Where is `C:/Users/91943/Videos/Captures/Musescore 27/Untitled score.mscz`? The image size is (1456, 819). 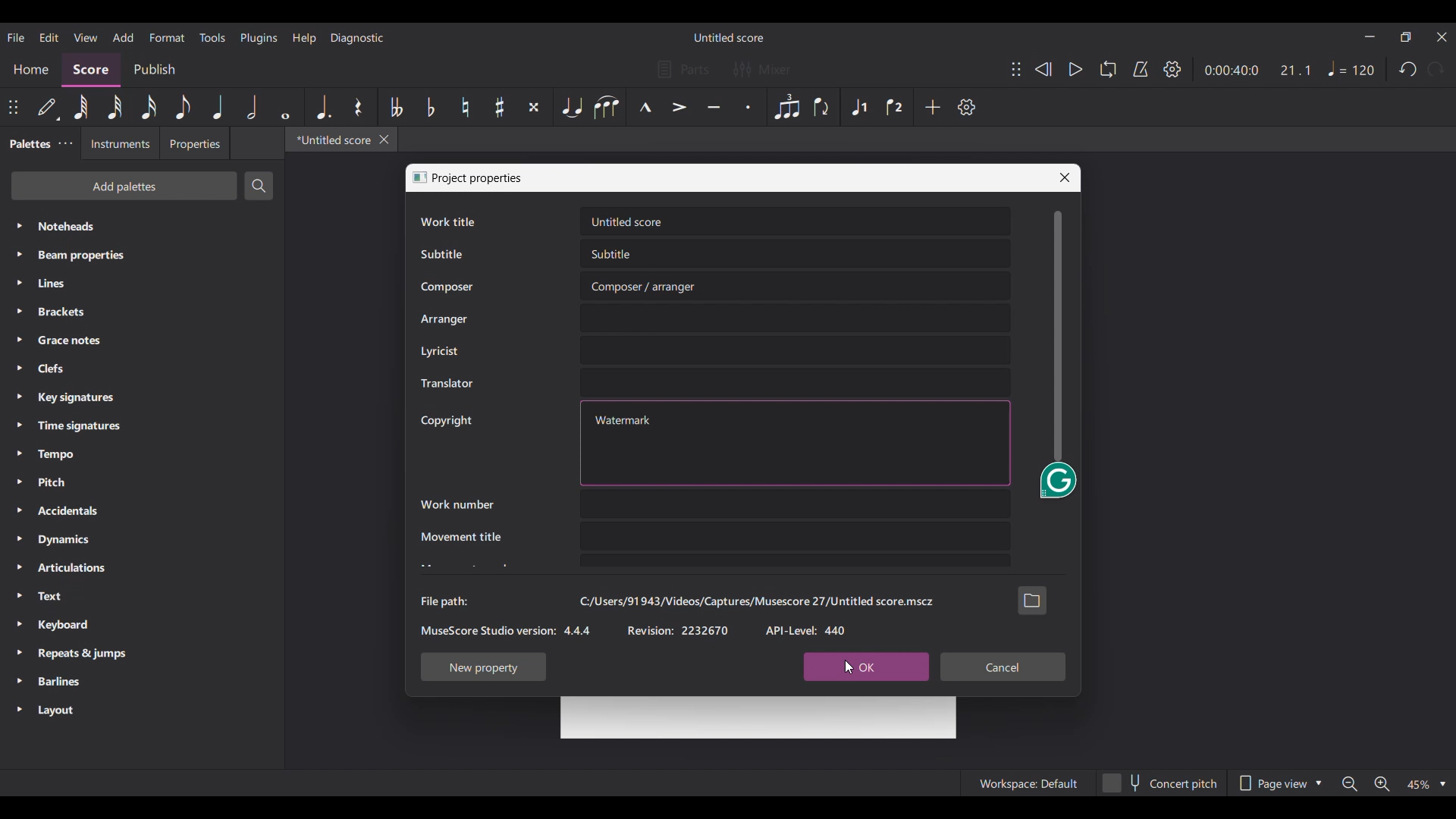
C:/Users/91943/Videos/Captures/Musescore 27/Untitled score.mscz is located at coordinates (756, 601).